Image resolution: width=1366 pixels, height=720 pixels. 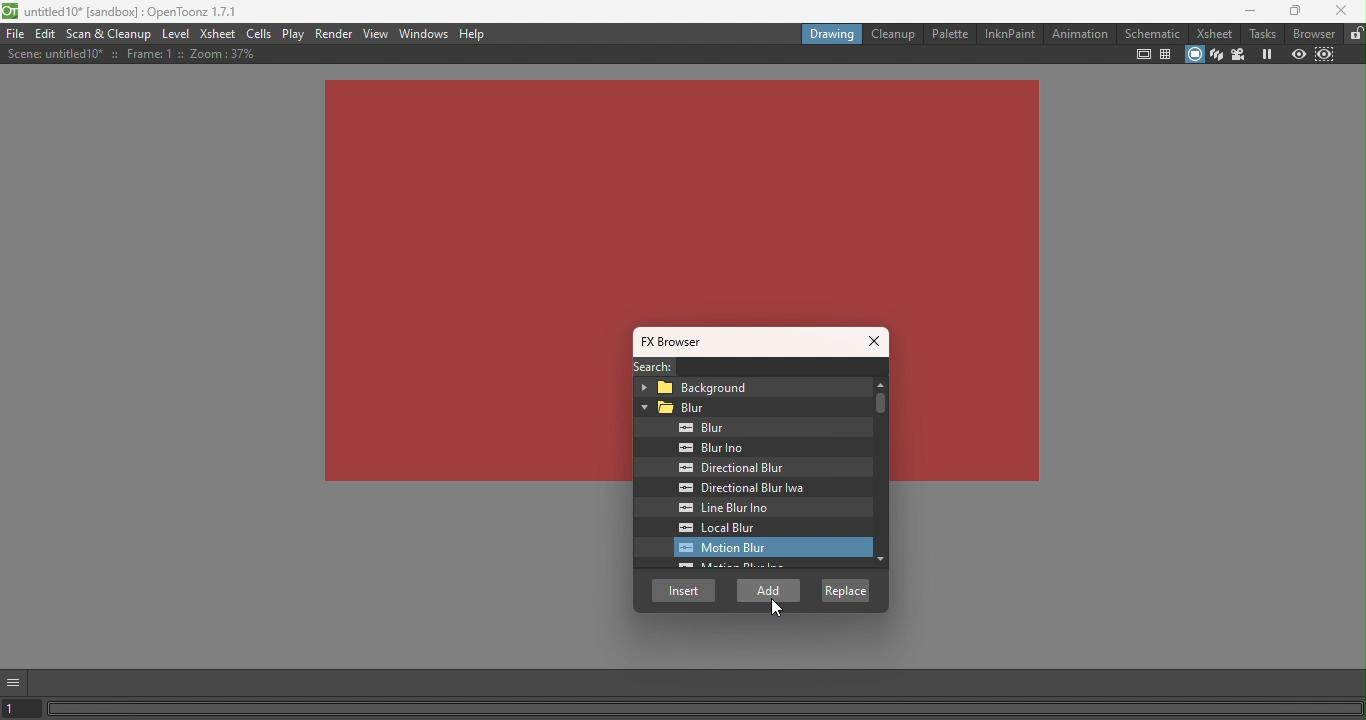 What do you see at coordinates (831, 33) in the screenshot?
I see `Drawing` at bounding box center [831, 33].